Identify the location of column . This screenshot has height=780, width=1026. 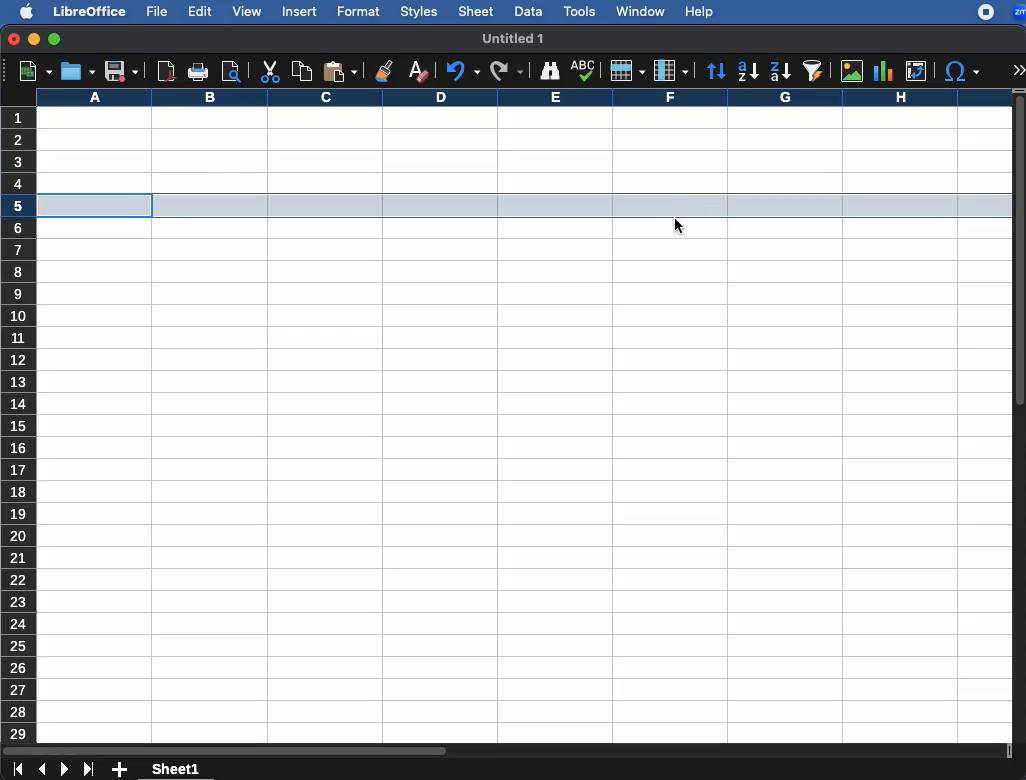
(669, 70).